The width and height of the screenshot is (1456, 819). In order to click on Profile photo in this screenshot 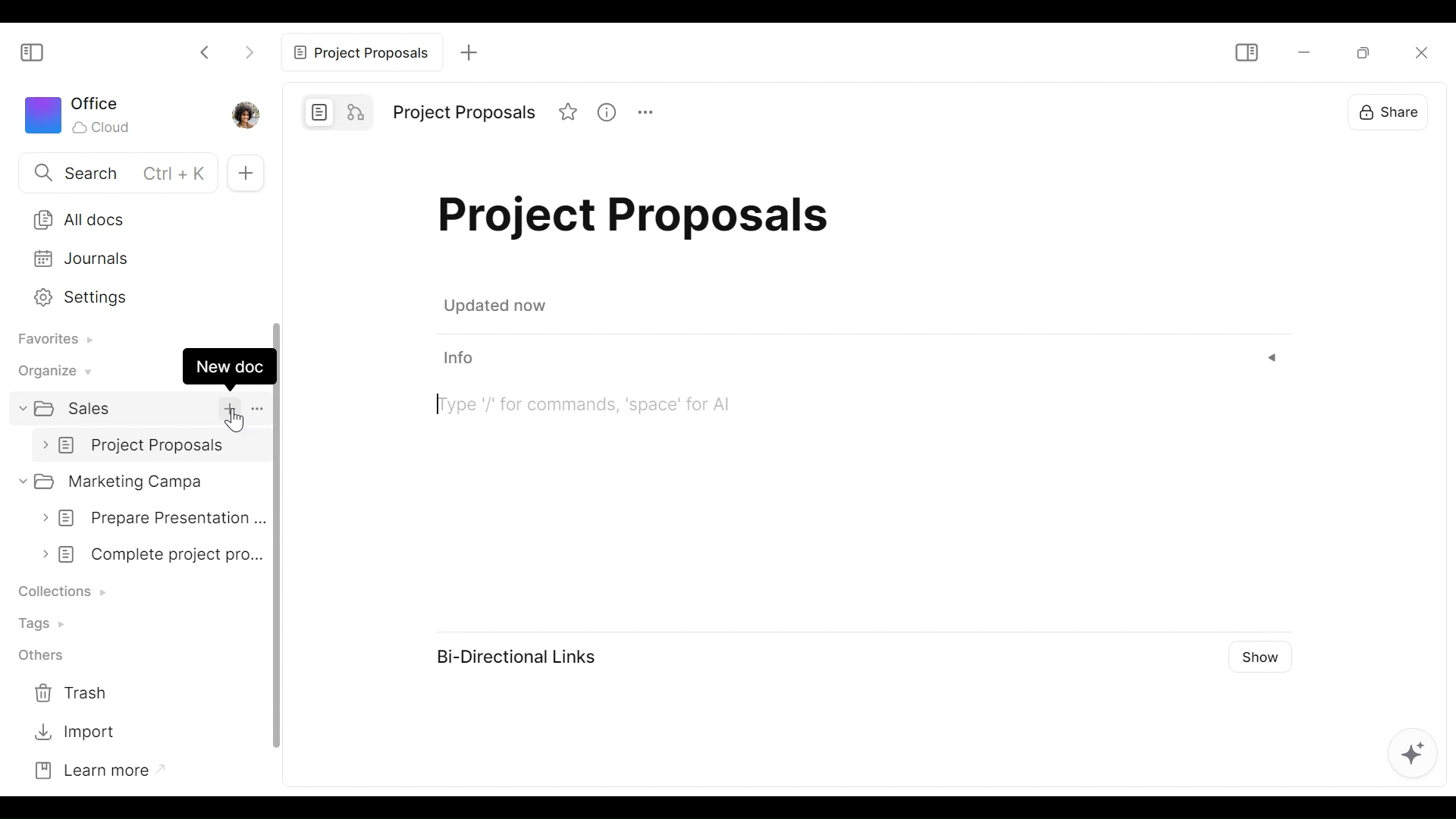, I will do `click(251, 114)`.